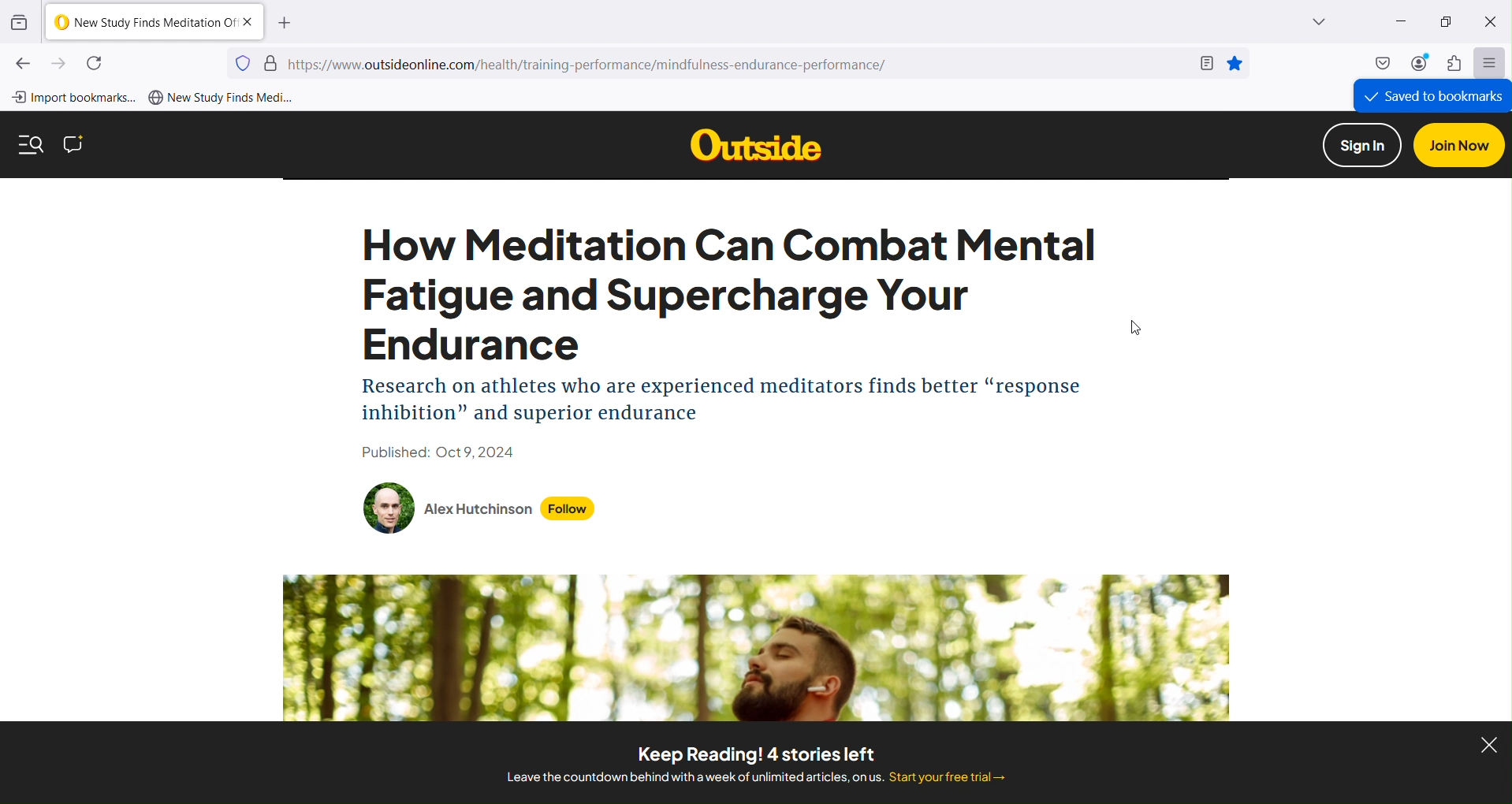 This screenshot has height=804, width=1512. What do you see at coordinates (758, 647) in the screenshot?
I see `Article banner` at bounding box center [758, 647].